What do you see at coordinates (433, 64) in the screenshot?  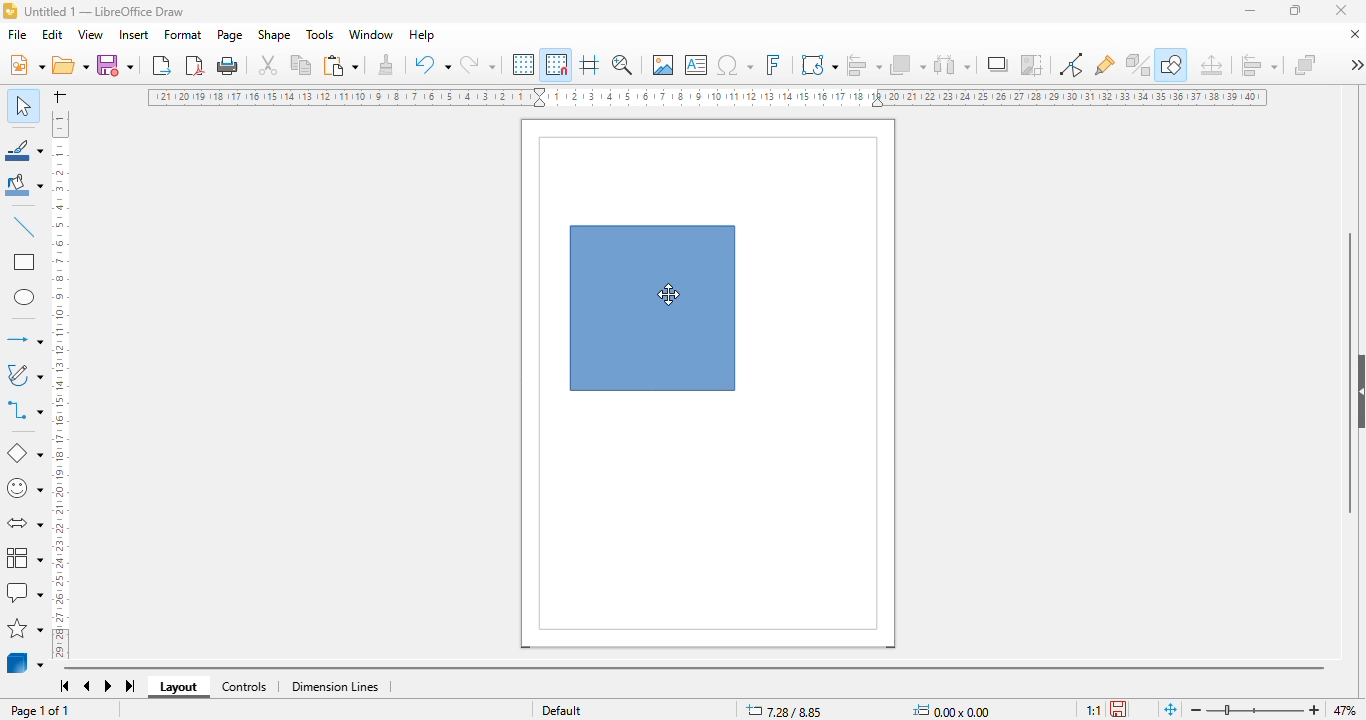 I see `undo` at bounding box center [433, 64].